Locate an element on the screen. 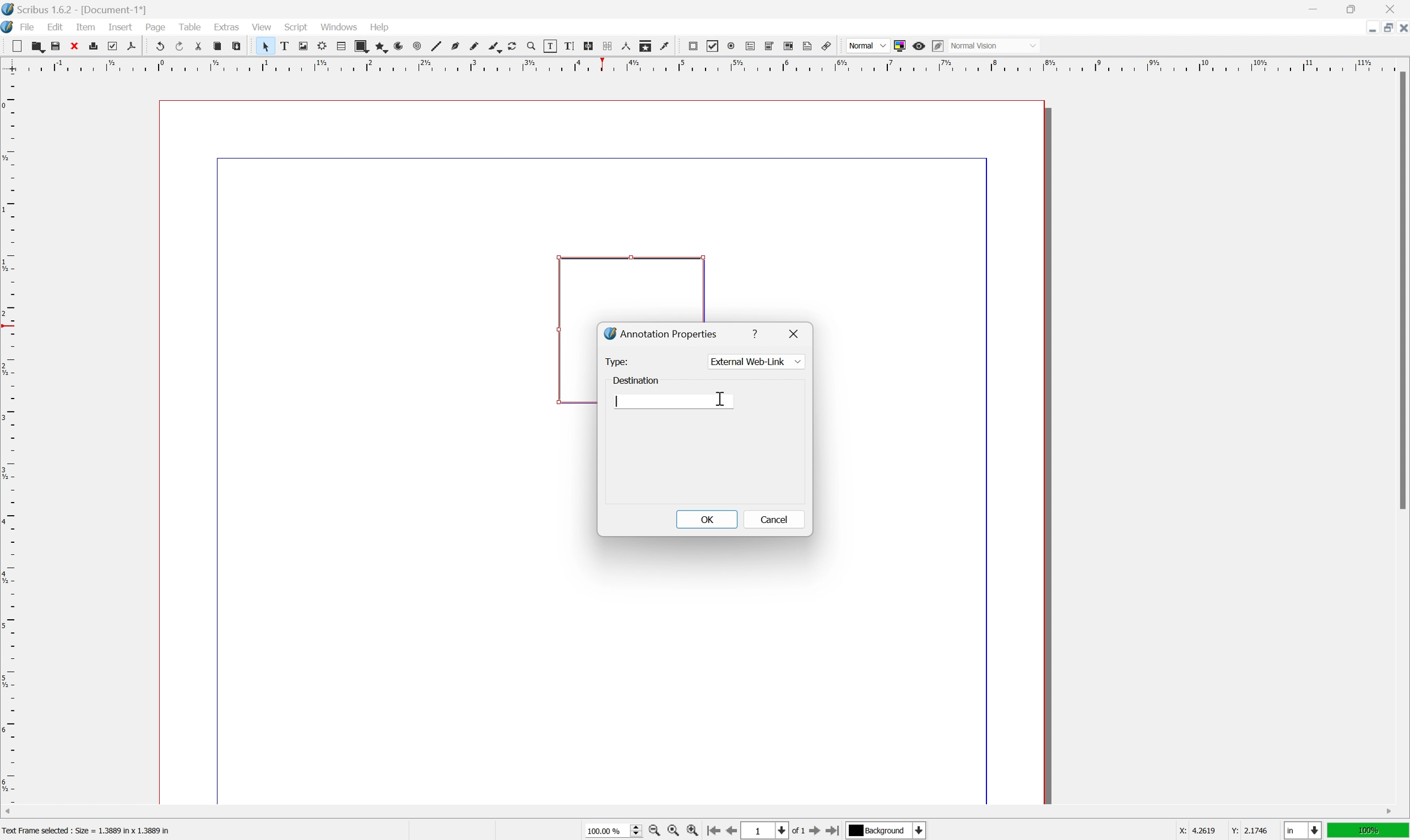 This screenshot has width=1410, height=840. close is located at coordinates (1401, 30).